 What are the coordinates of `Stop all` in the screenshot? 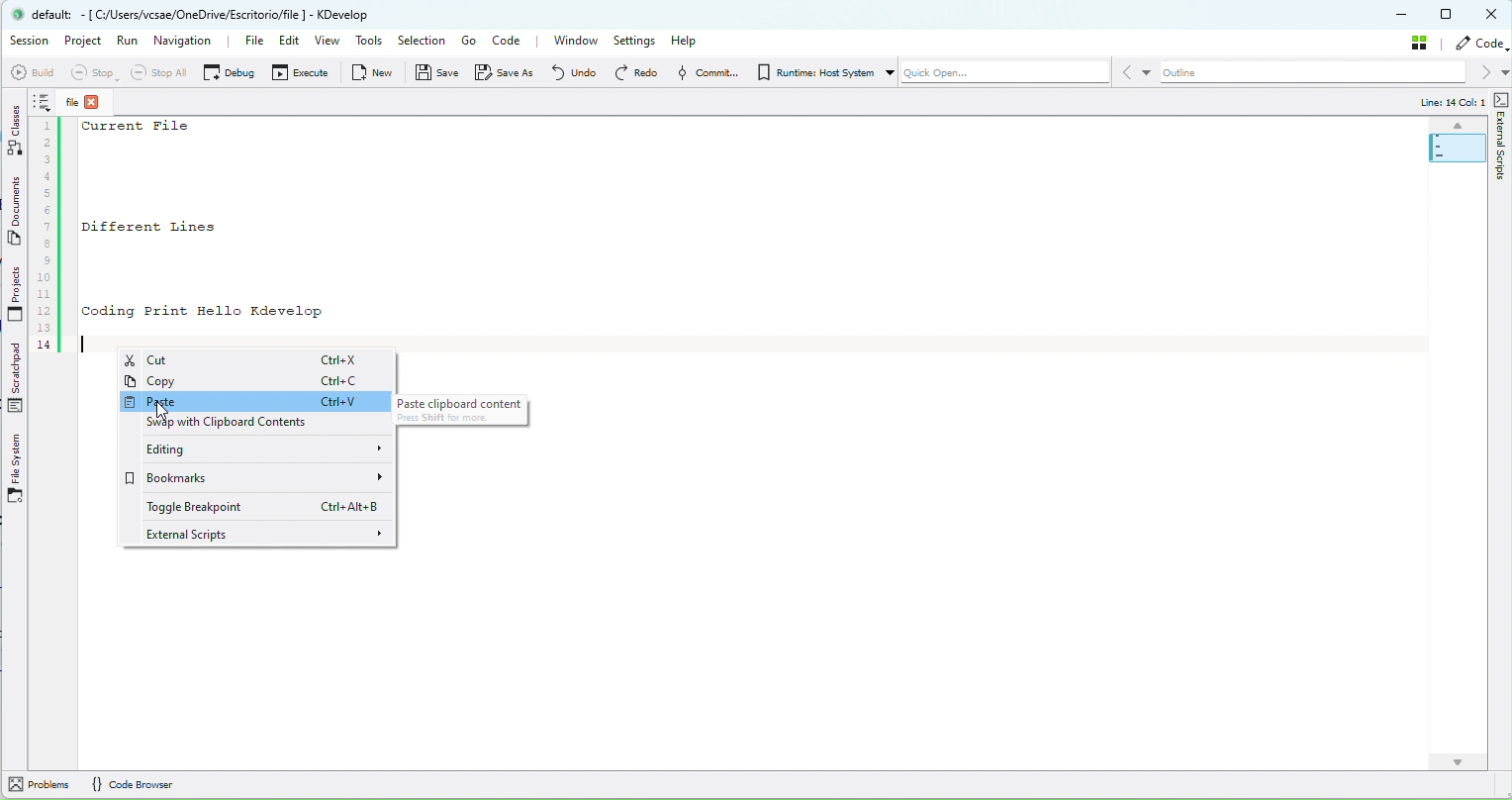 It's located at (155, 72).